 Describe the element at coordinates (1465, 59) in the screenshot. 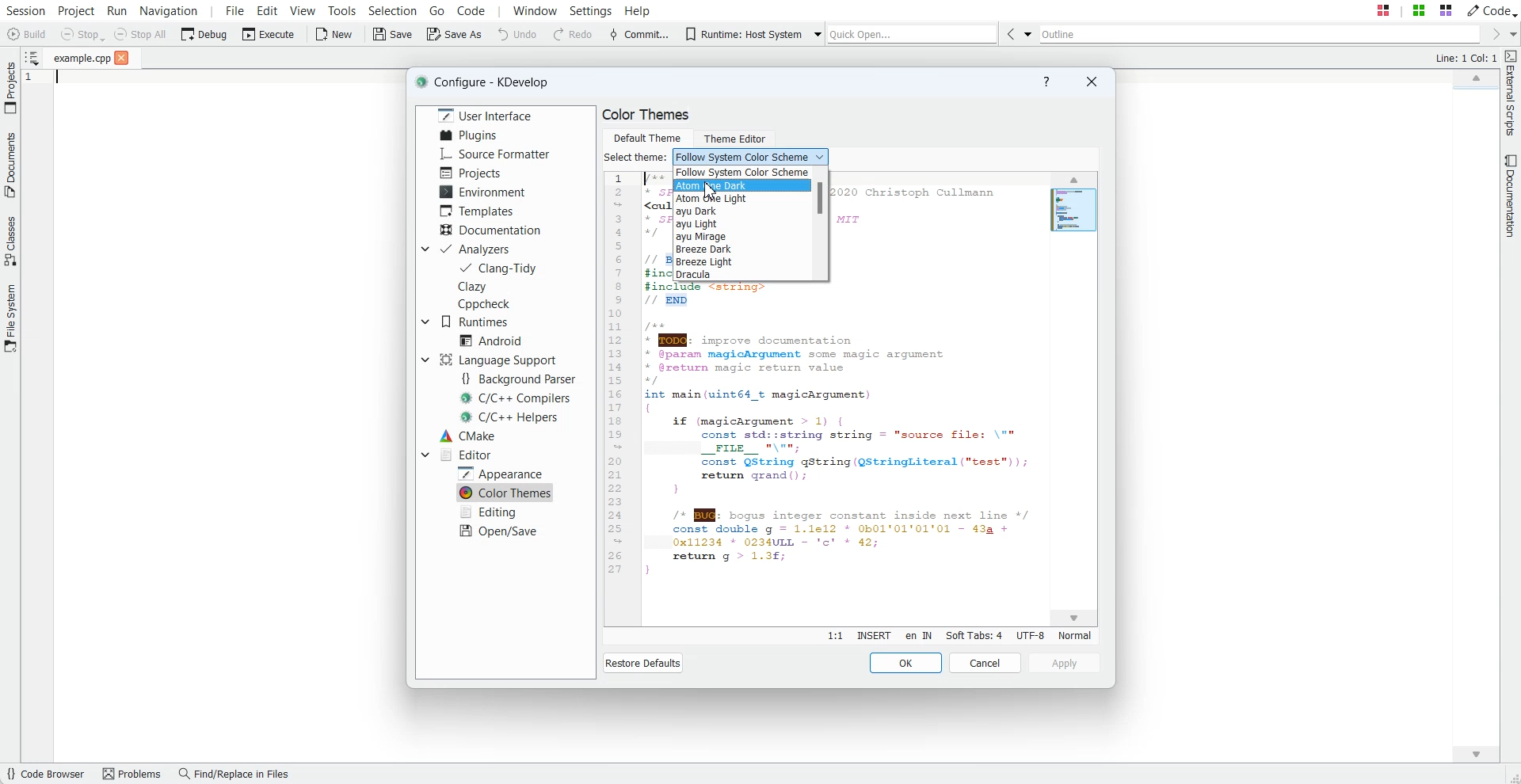

I see `Text` at that location.